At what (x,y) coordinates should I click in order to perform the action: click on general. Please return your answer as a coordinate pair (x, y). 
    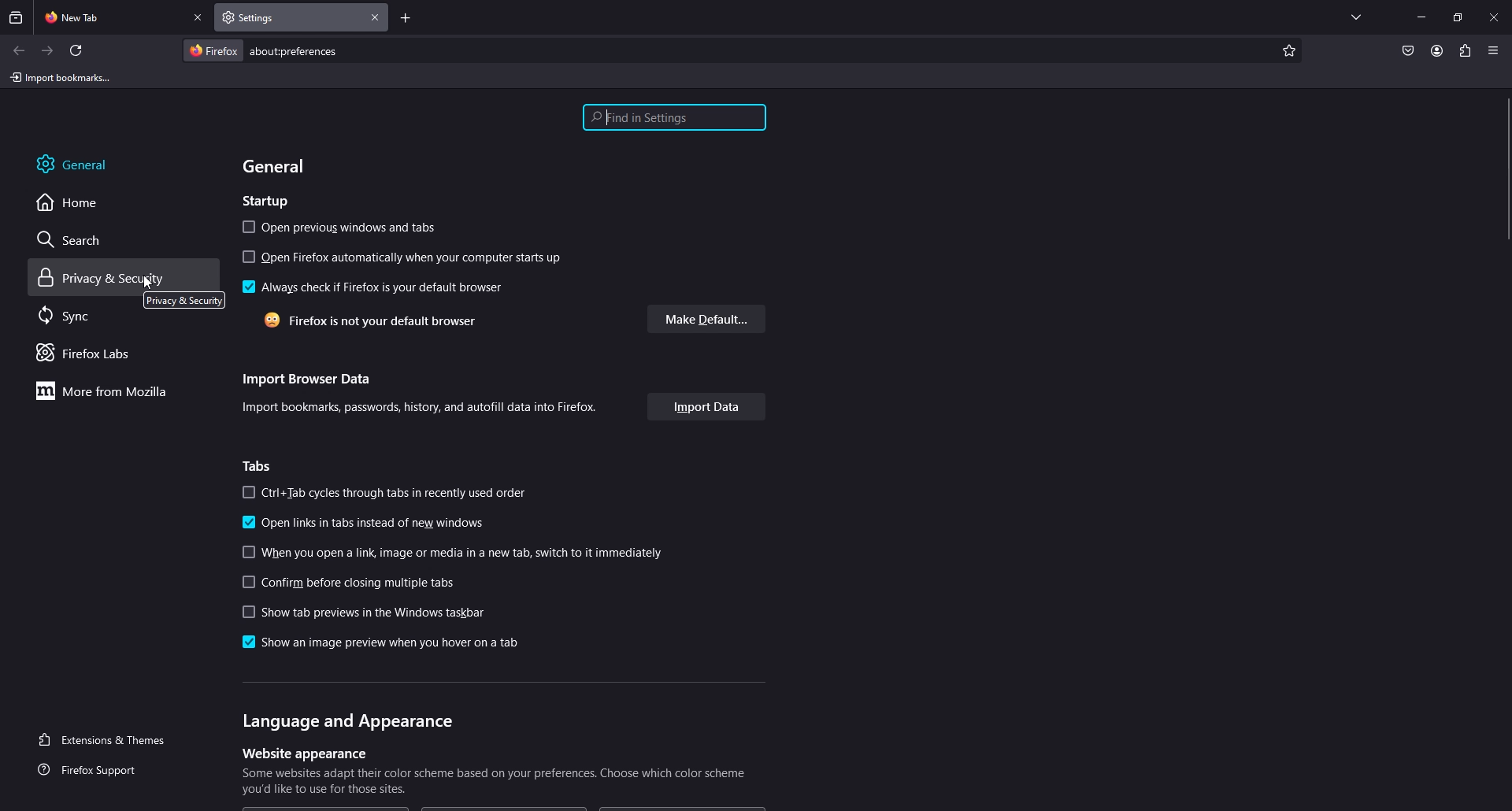
    Looking at the image, I should click on (277, 166).